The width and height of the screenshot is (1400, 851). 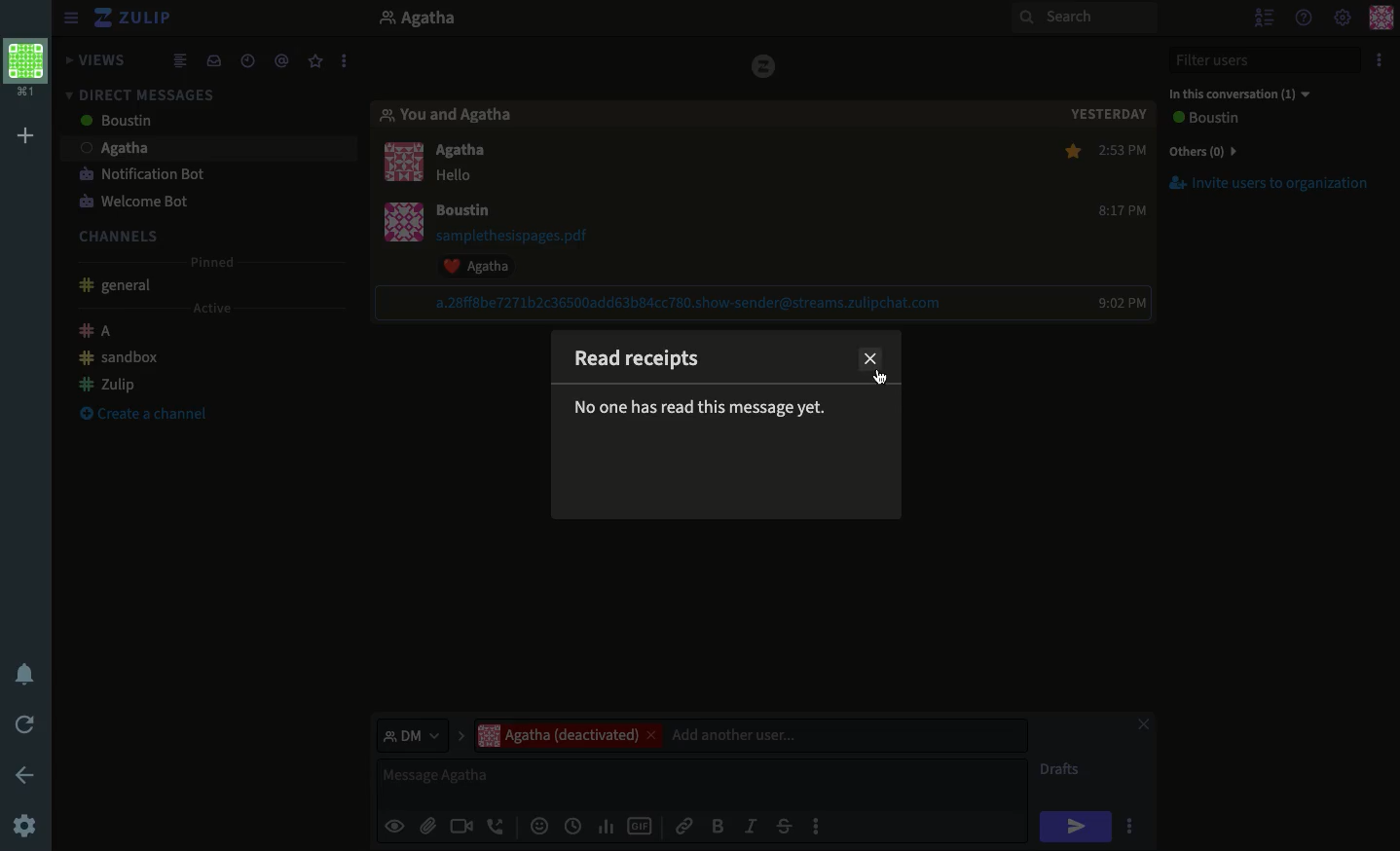 I want to click on Send, so click(x=1076, y=827).